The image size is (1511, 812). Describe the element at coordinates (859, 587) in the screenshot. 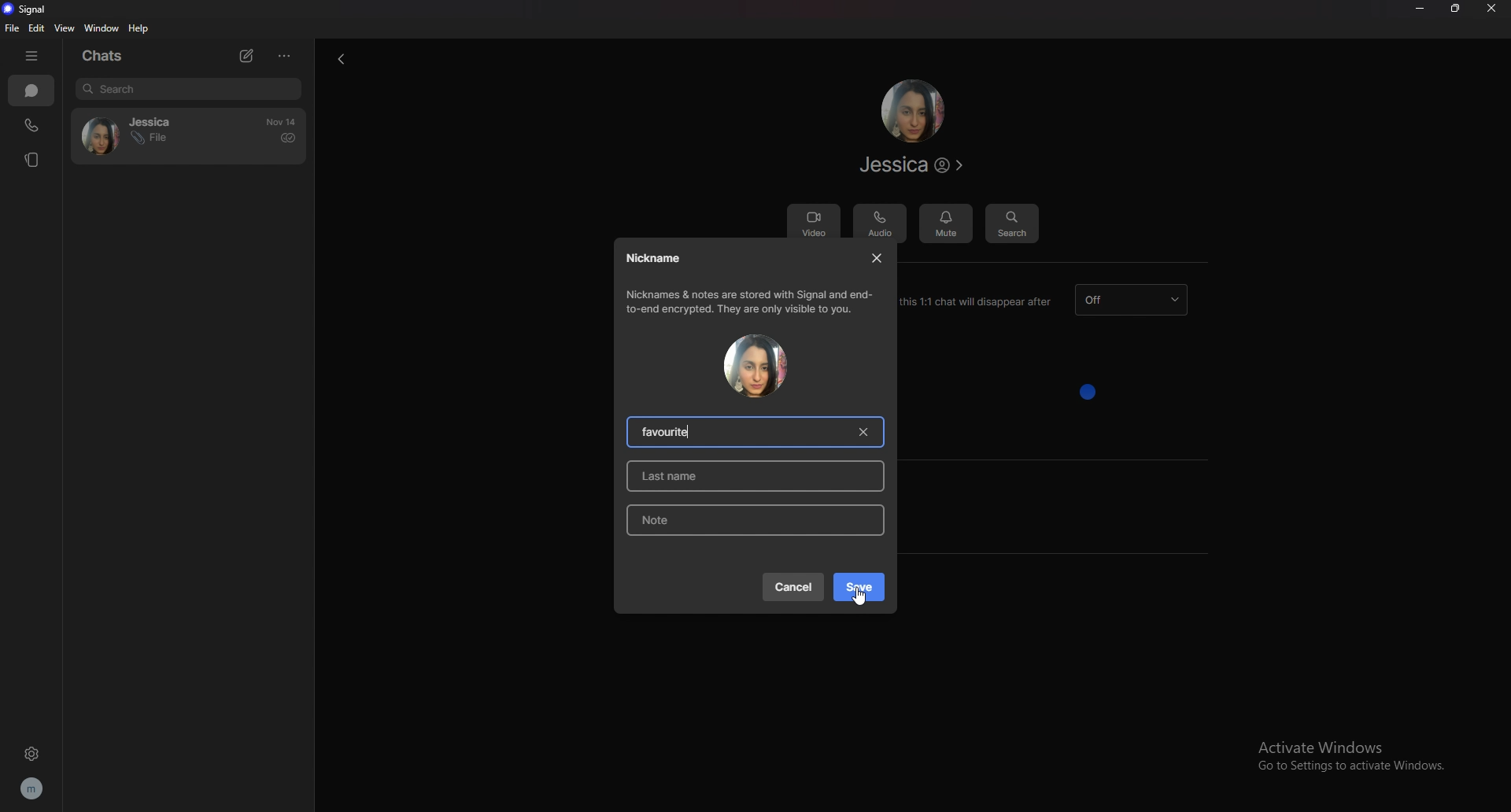

I see `save` at that location.